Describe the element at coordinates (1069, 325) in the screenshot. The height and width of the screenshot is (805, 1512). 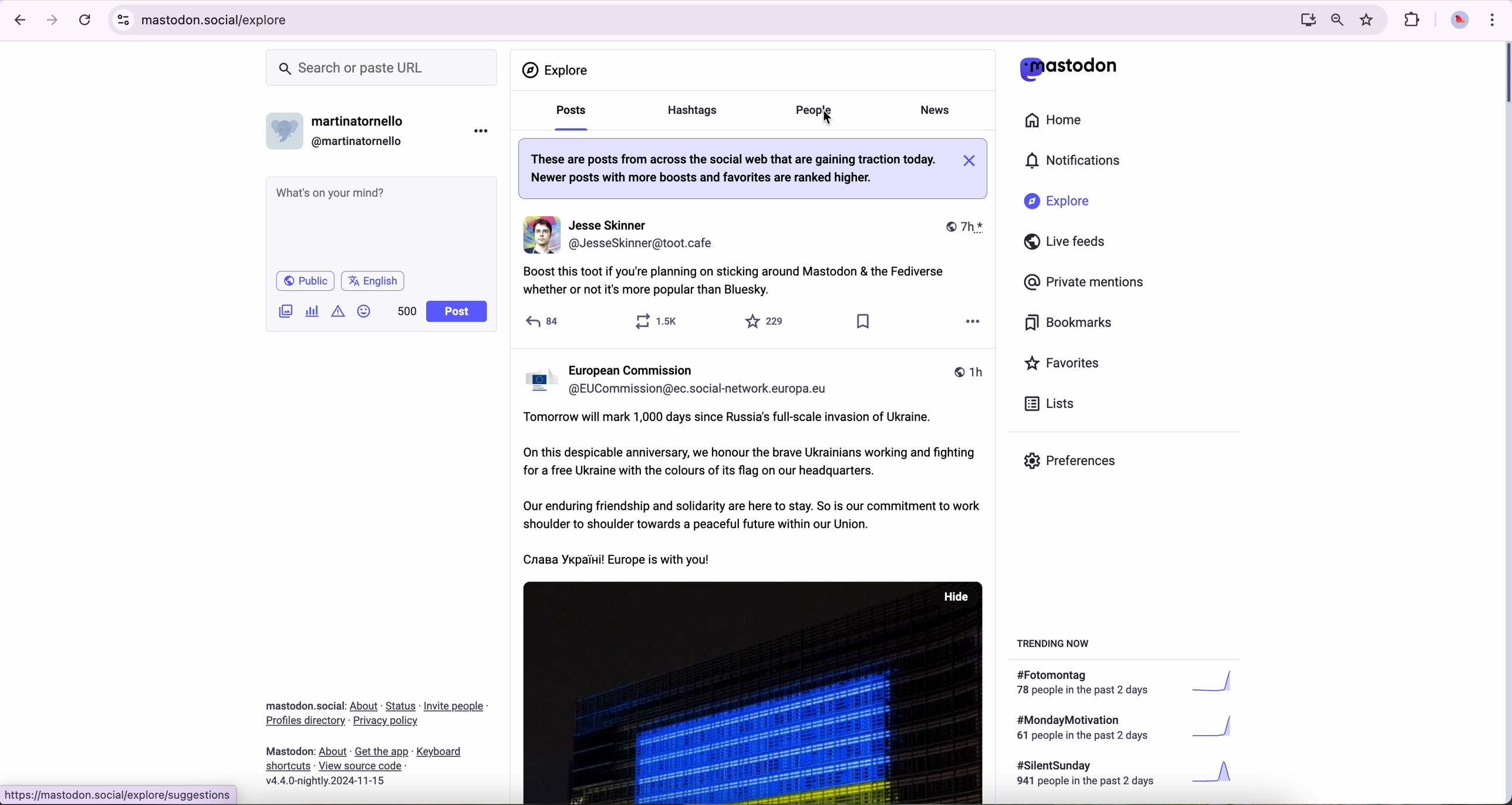
I see `bookmarks` at that location.